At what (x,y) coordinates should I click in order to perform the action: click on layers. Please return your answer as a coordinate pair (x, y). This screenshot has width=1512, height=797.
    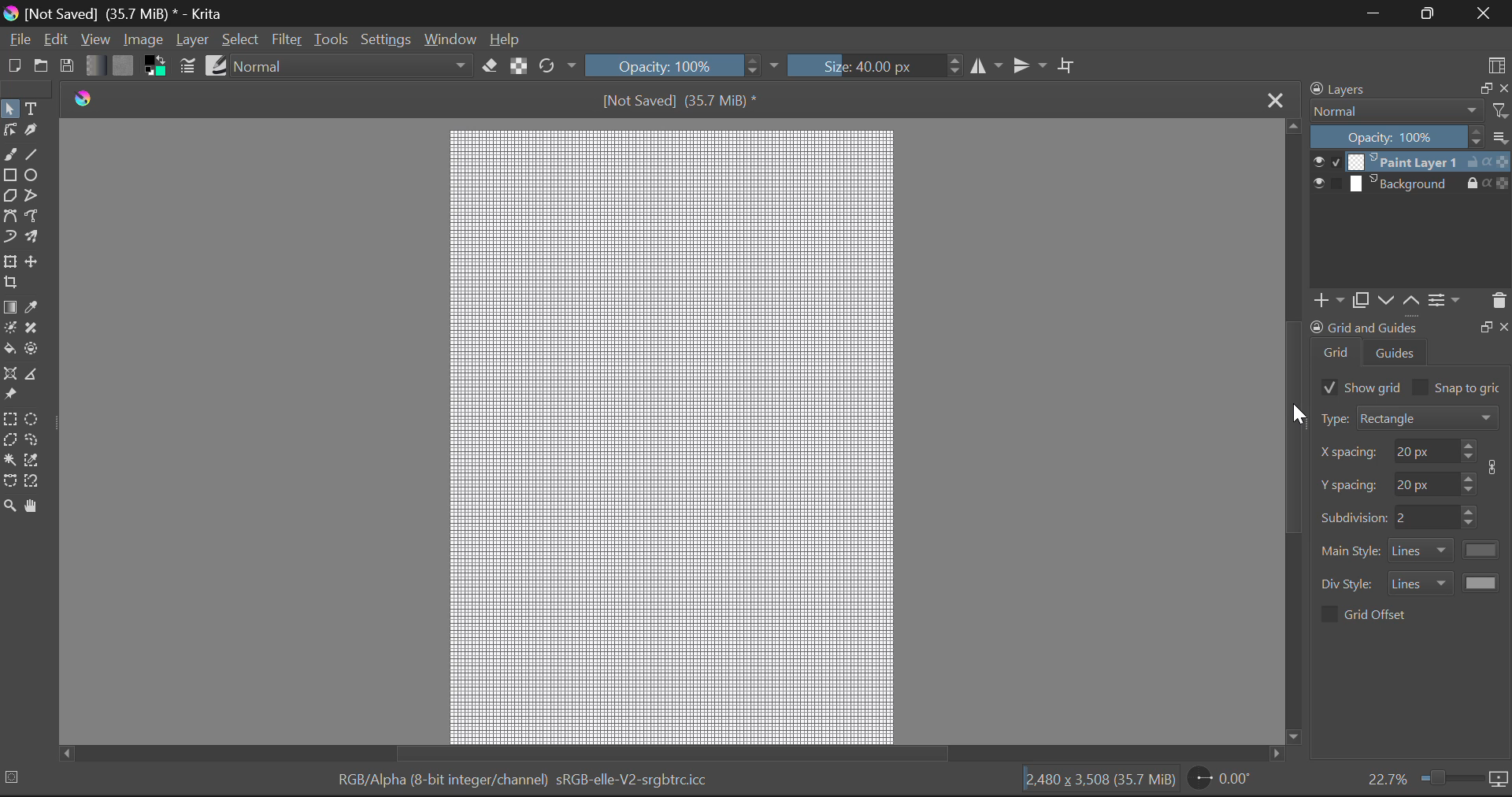
    Looking at the image, I should click on (1341, 89).